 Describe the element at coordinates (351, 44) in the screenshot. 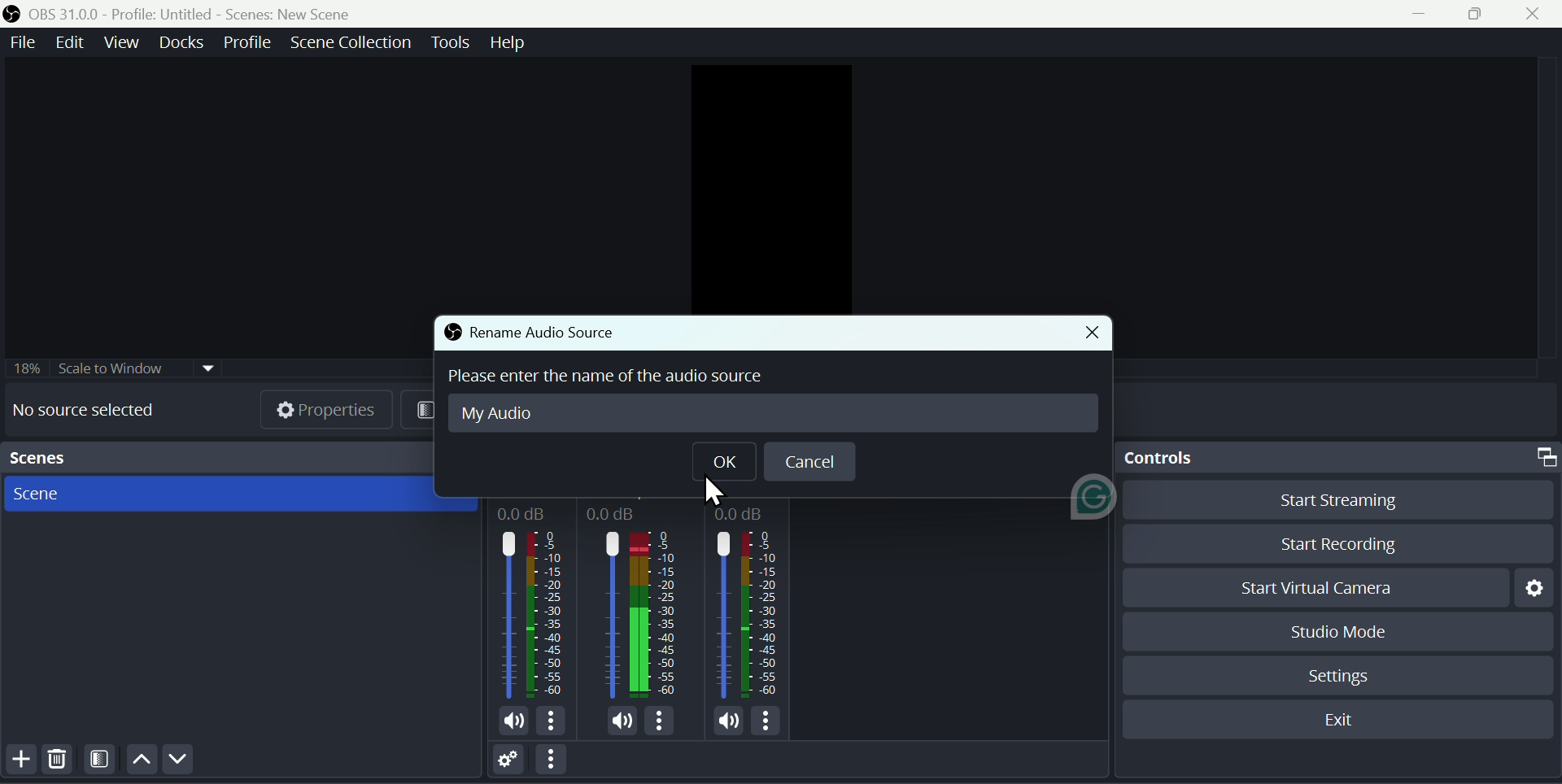

I see `Scene collection` at that location.